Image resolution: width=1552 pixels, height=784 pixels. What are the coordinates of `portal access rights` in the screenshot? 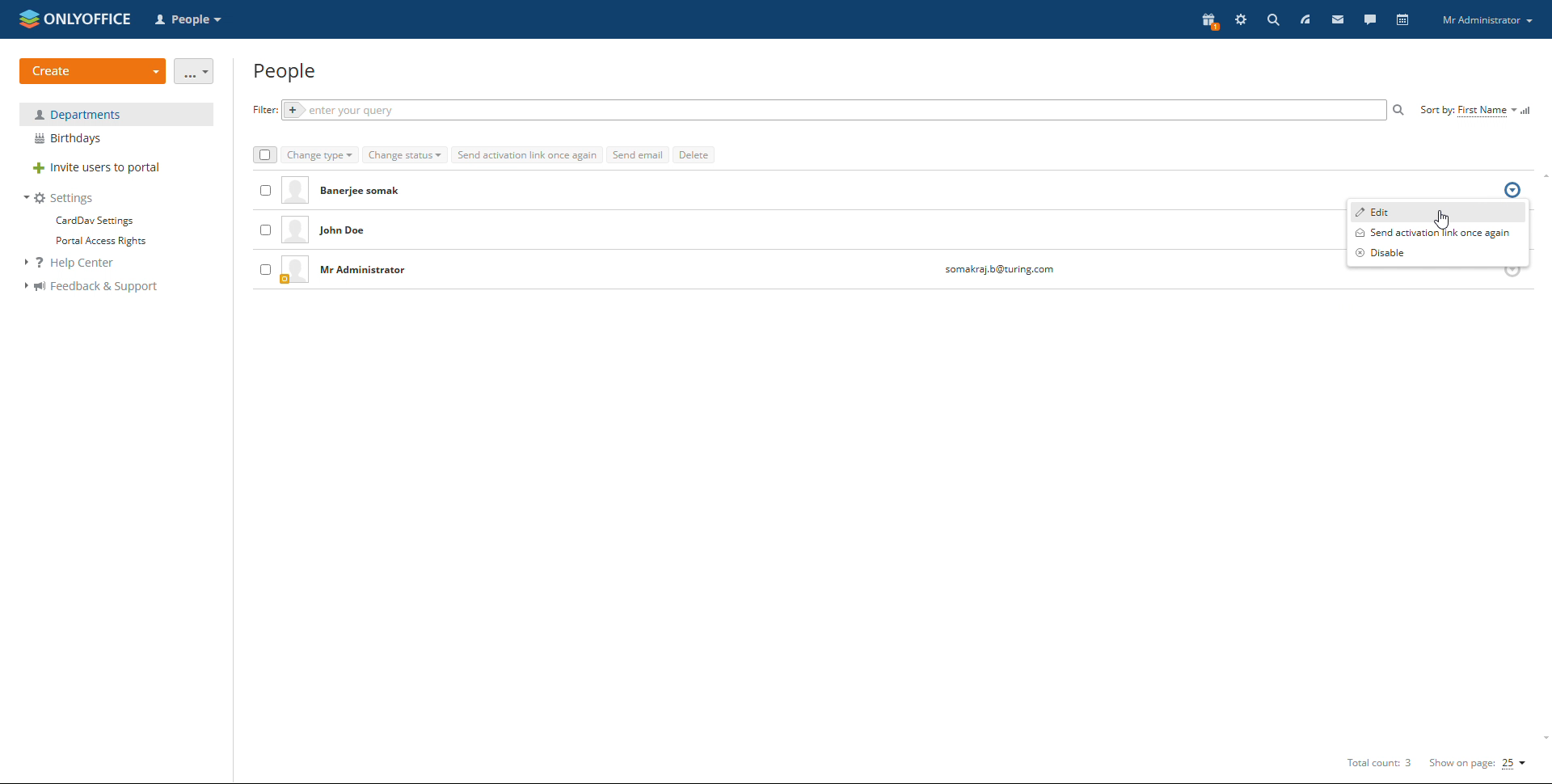 It's located at (95, 242).